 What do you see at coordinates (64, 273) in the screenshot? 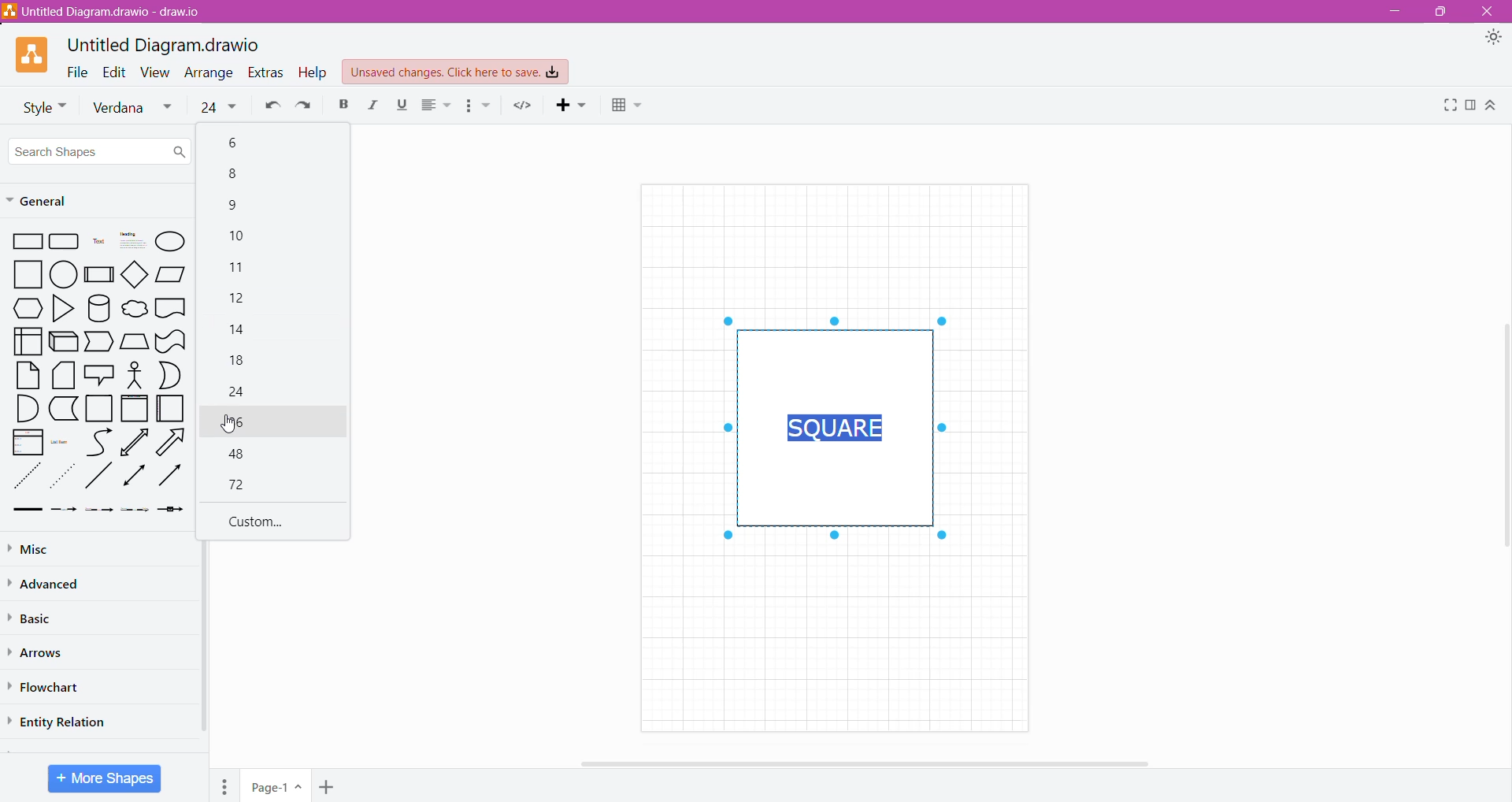
I see `circle` at bounding box center [64, 273].